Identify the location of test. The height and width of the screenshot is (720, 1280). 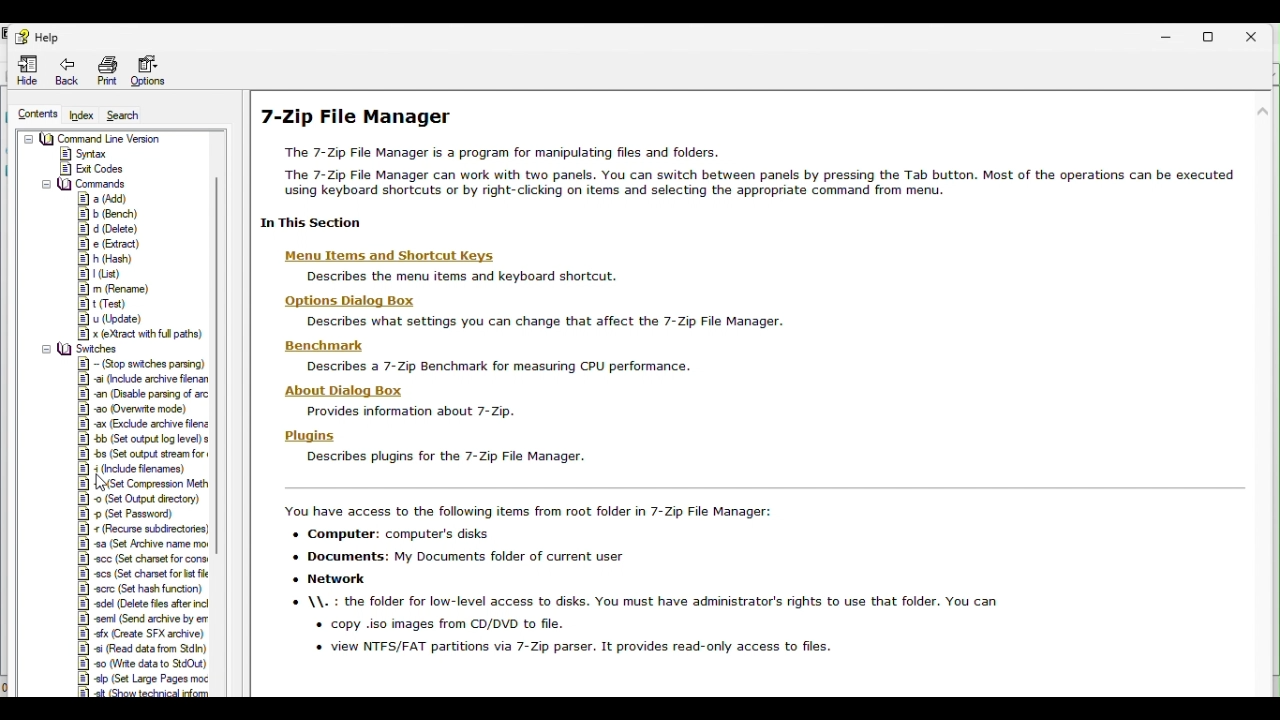
(100, 305).